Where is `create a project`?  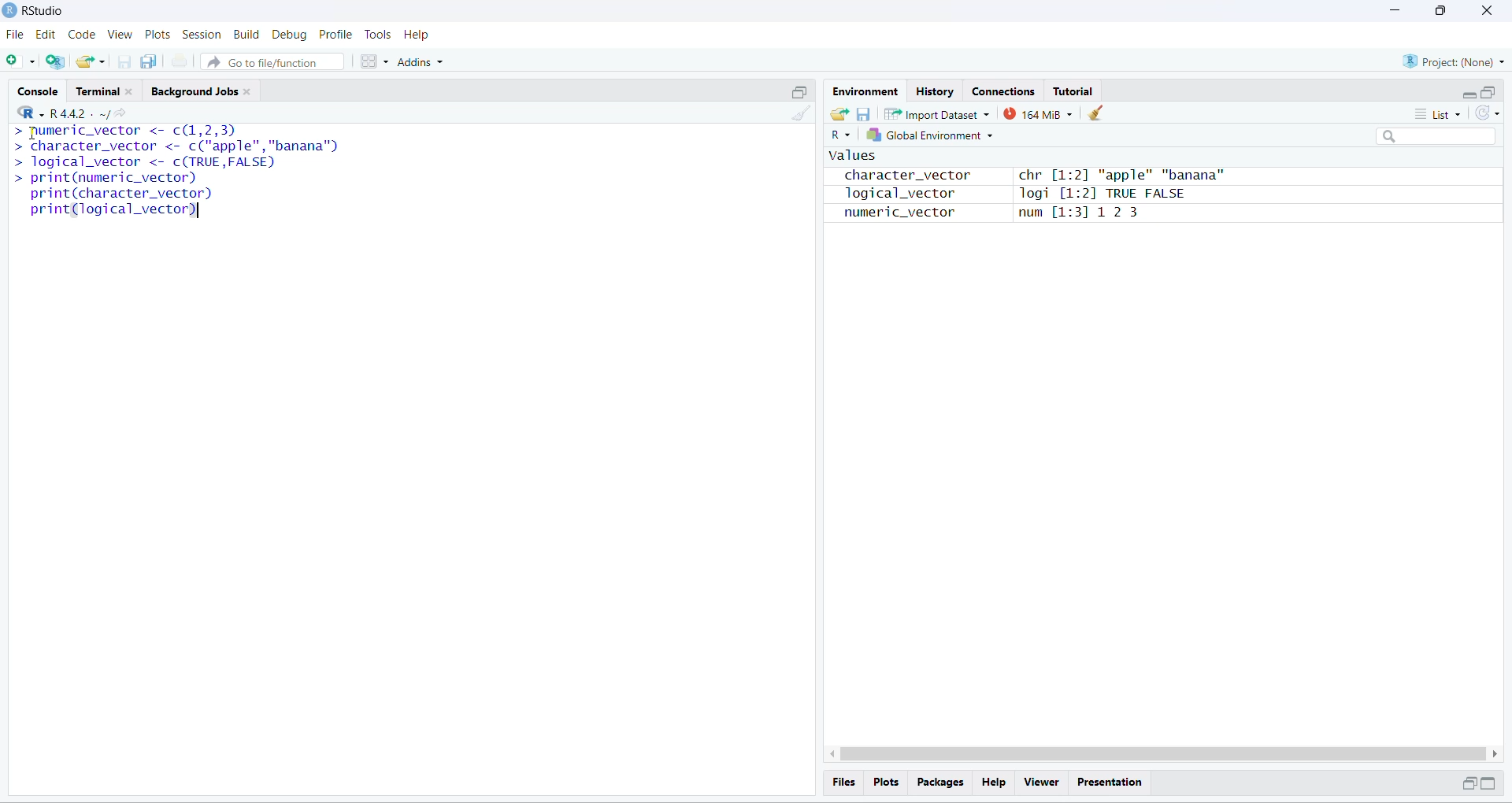 create a project is located at coordinates (54, 61).